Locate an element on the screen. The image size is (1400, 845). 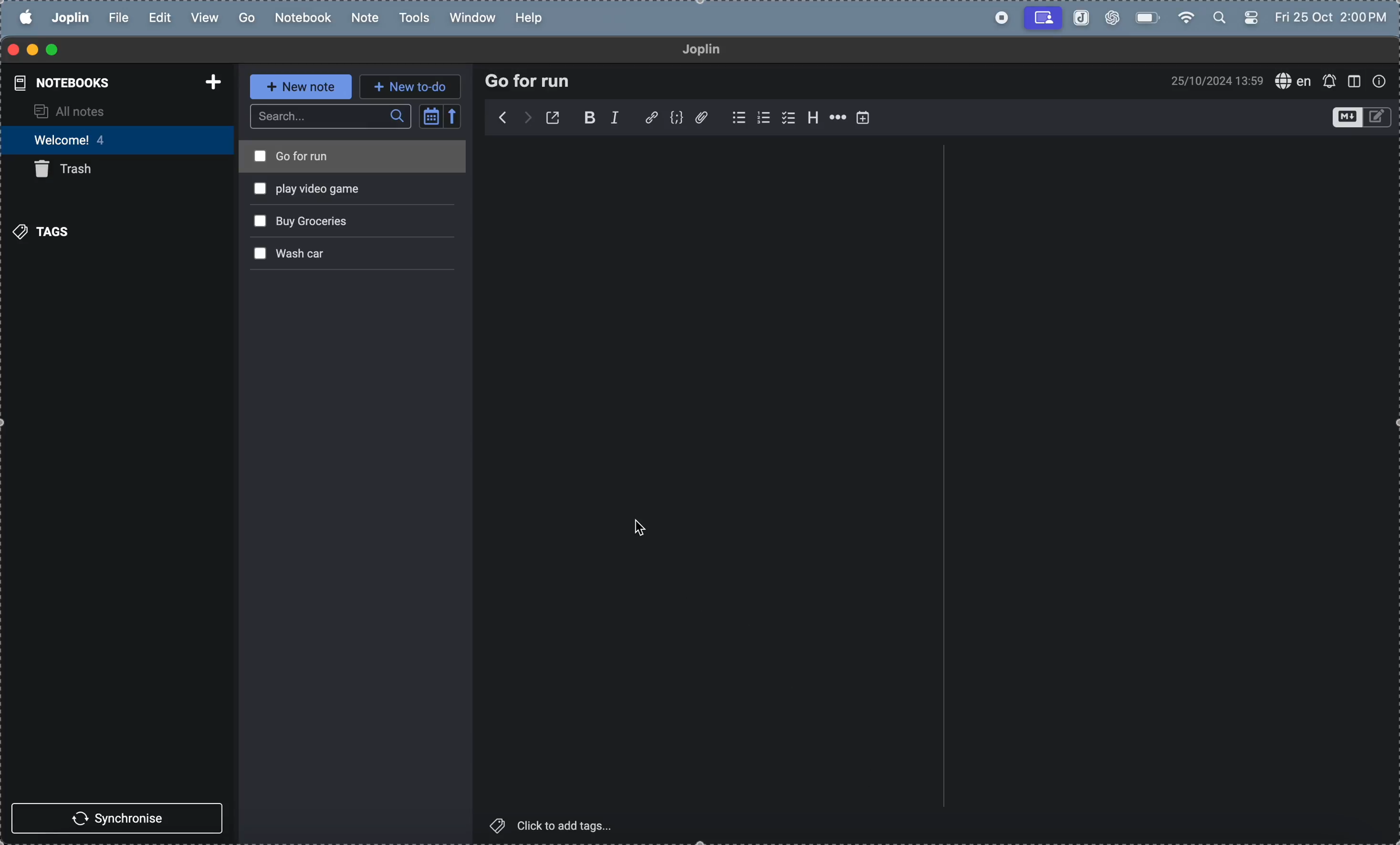
note is located at coordinates (365, 16).